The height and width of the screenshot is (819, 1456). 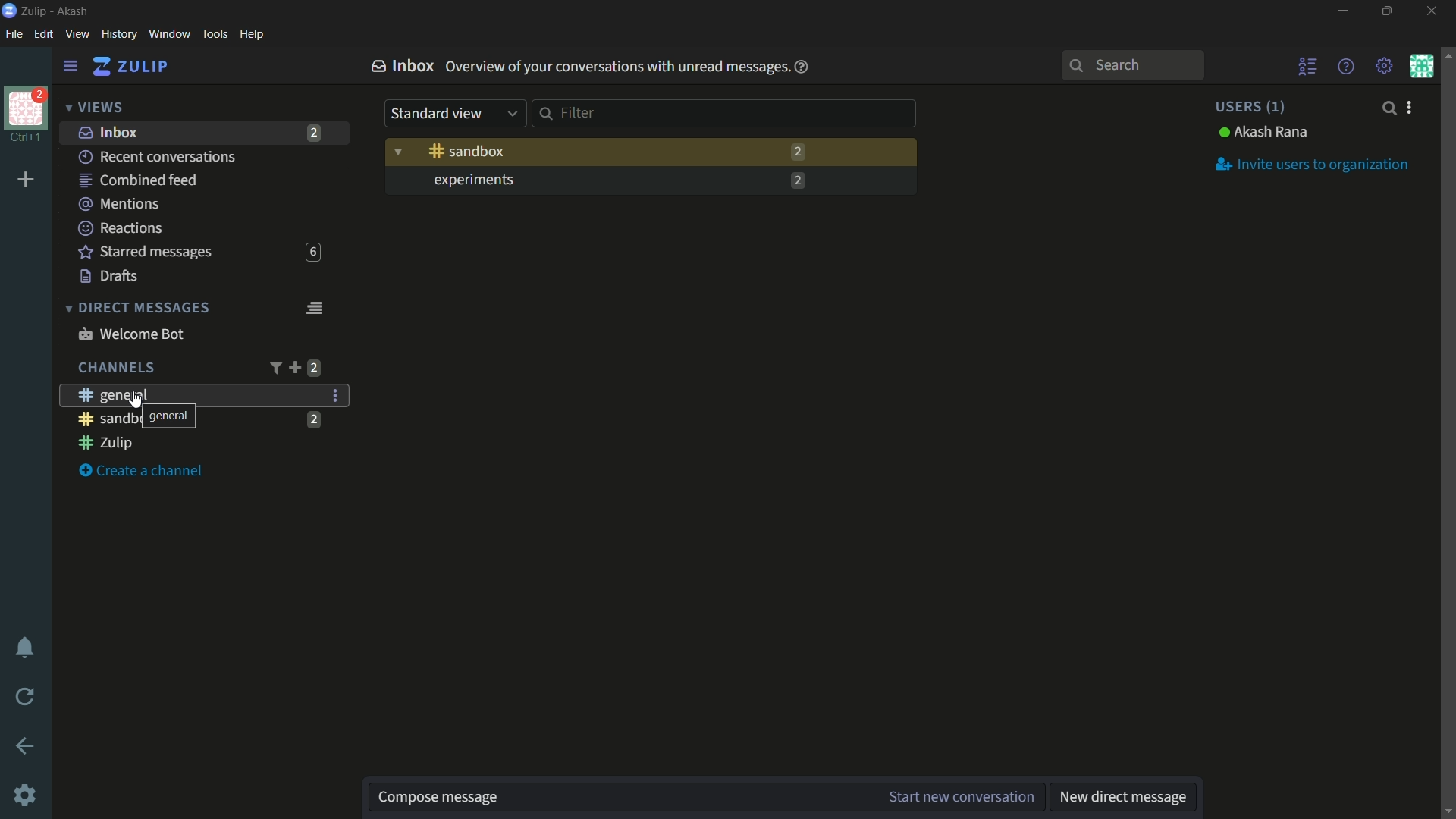 What do you see at coordinates (1248, 106) in the screenshot?
I see `users (1)` at bounding box center [1248, 106].